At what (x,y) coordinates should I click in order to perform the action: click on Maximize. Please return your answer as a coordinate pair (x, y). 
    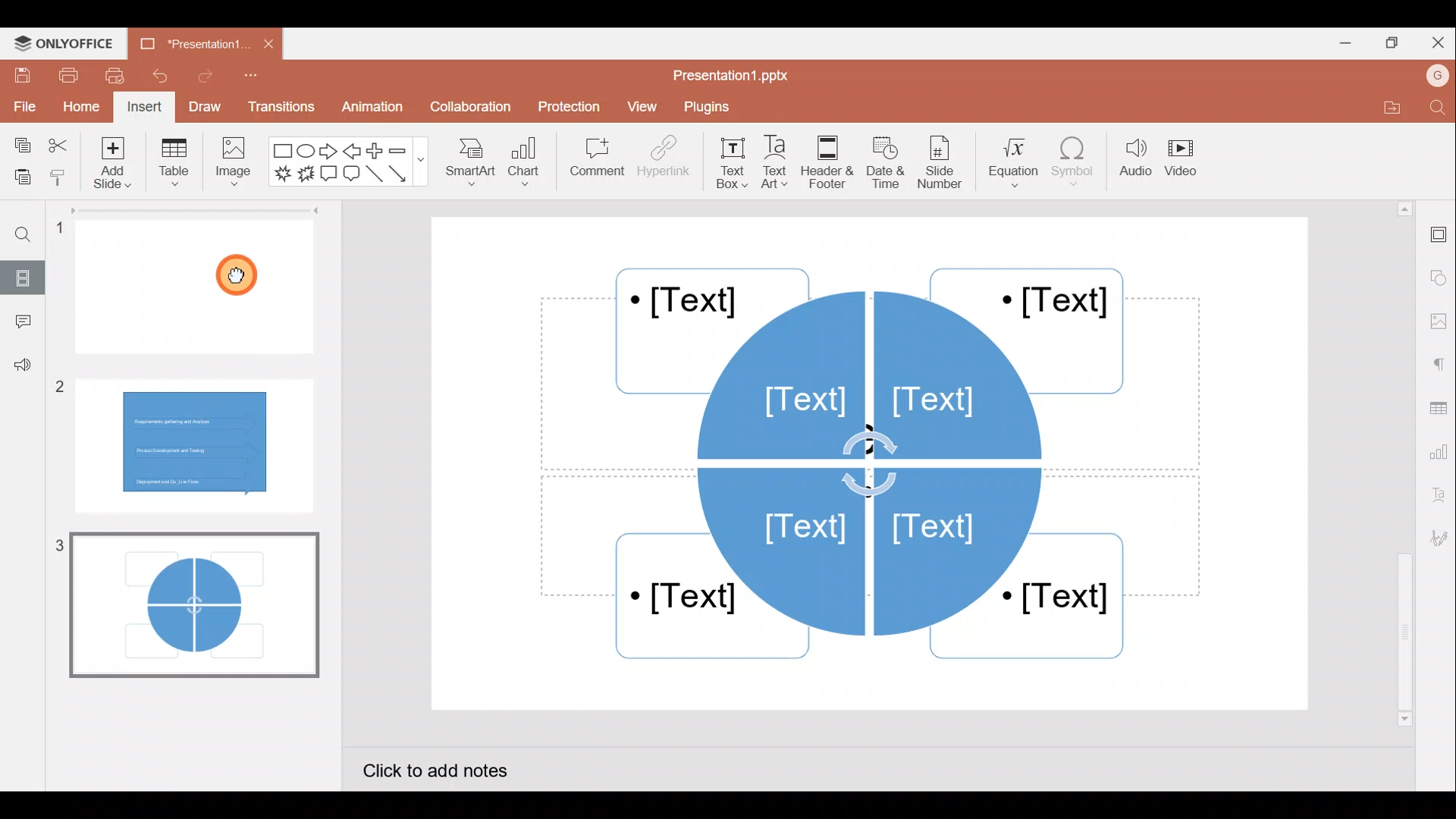
    Looking at the image, I should click on (1395, 41).